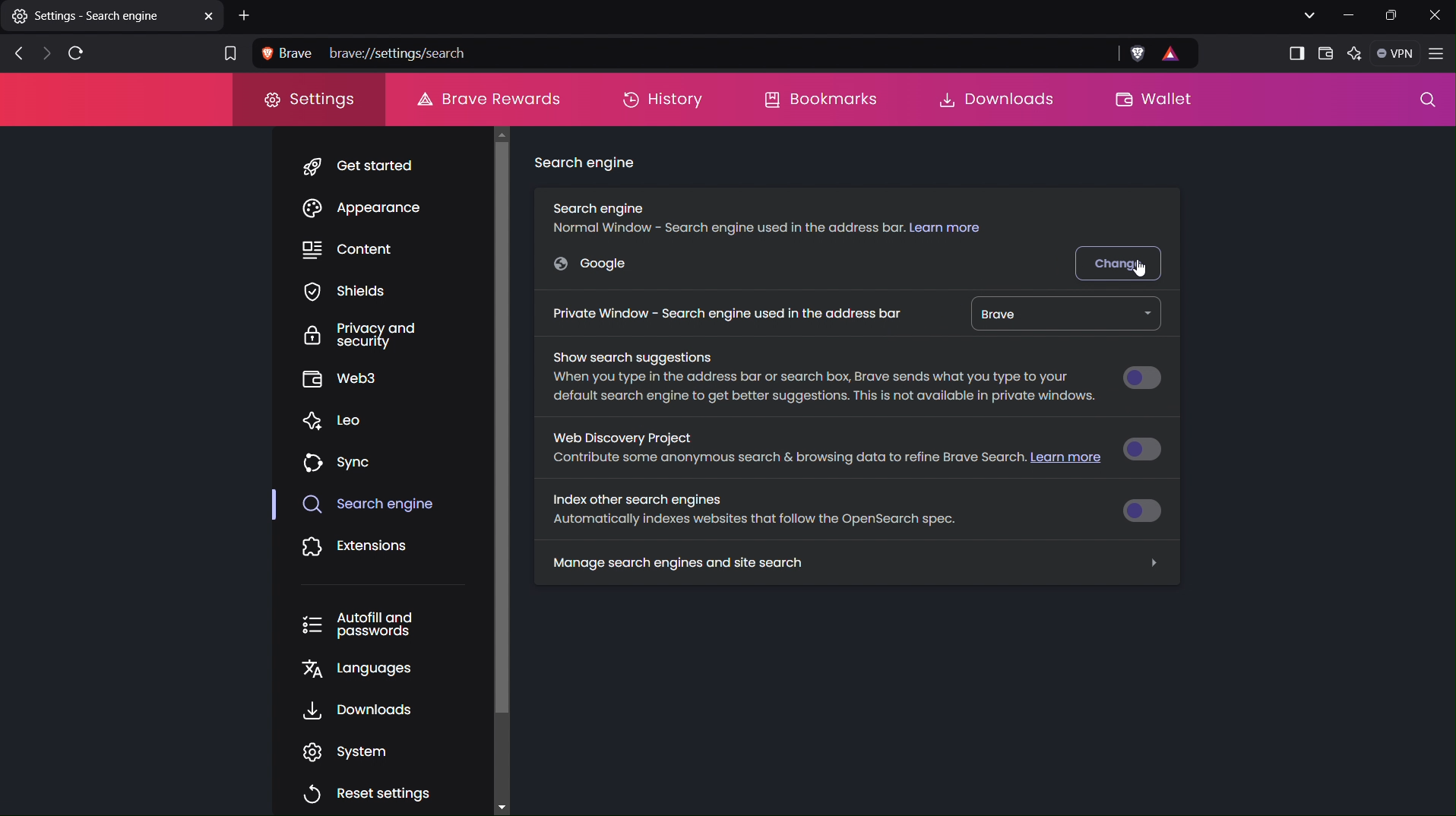  I want to click on Application Menu, so click(1439, 55).